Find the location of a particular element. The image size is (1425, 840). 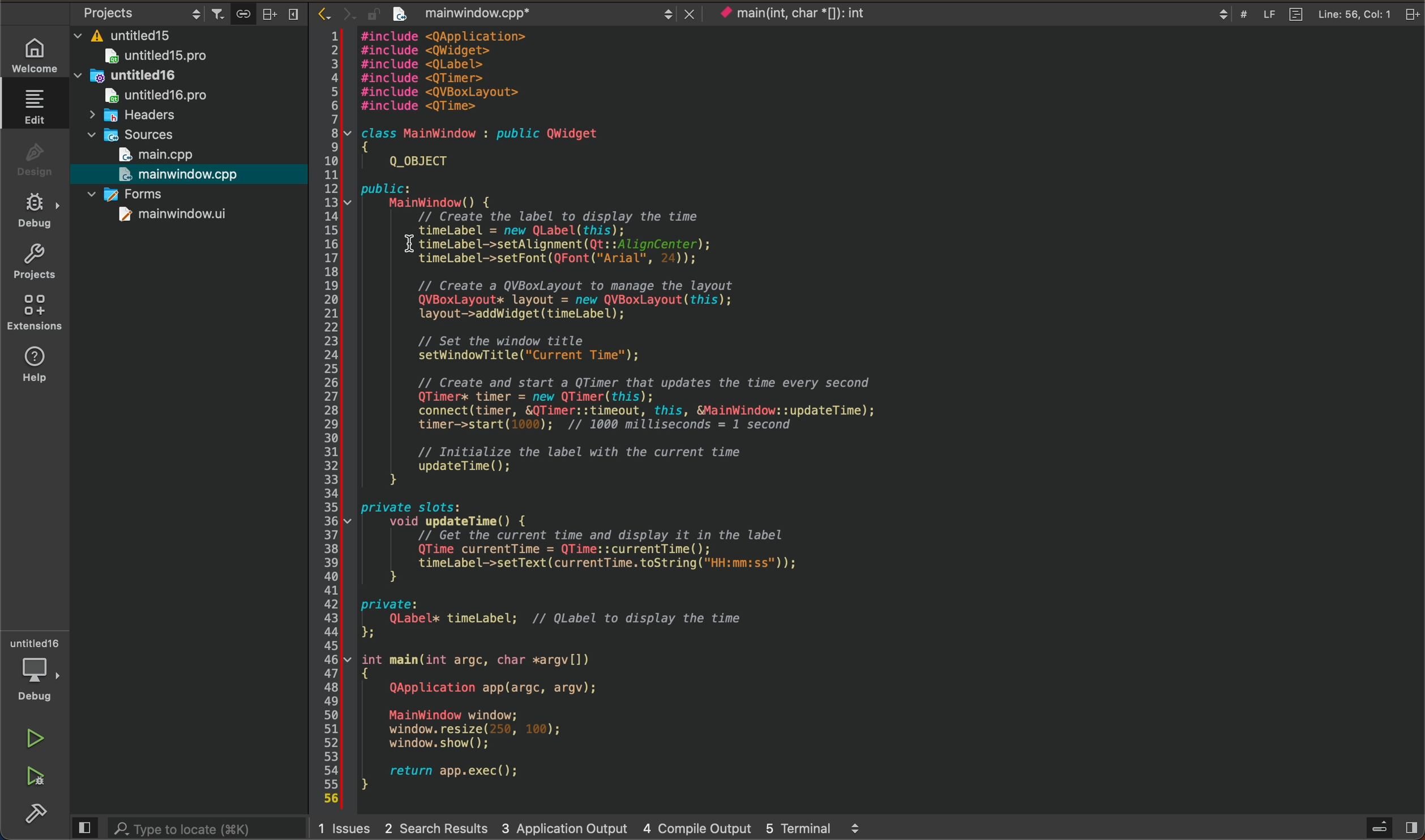

show right pane is located at coordinates (1414, 829).